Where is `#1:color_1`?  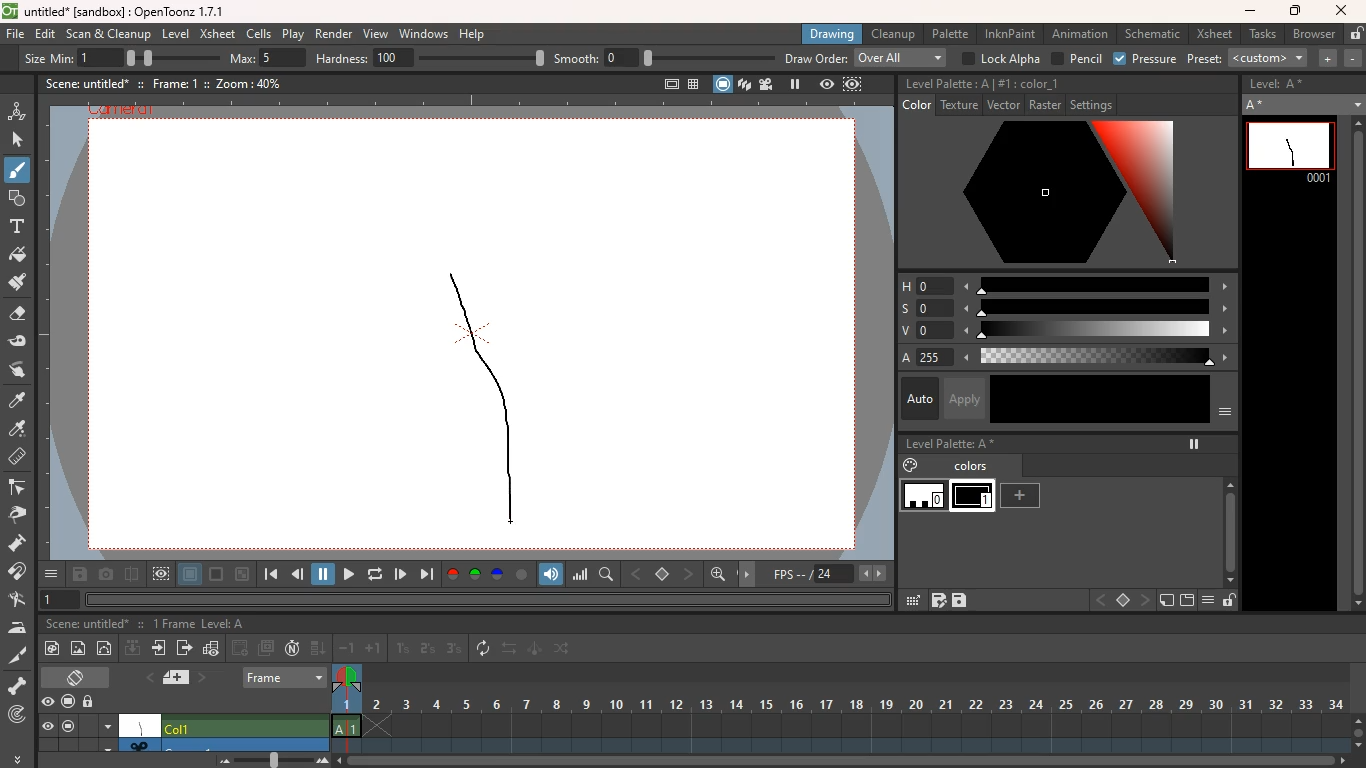
#1:color_1 is located at coordinates (1030, 84).